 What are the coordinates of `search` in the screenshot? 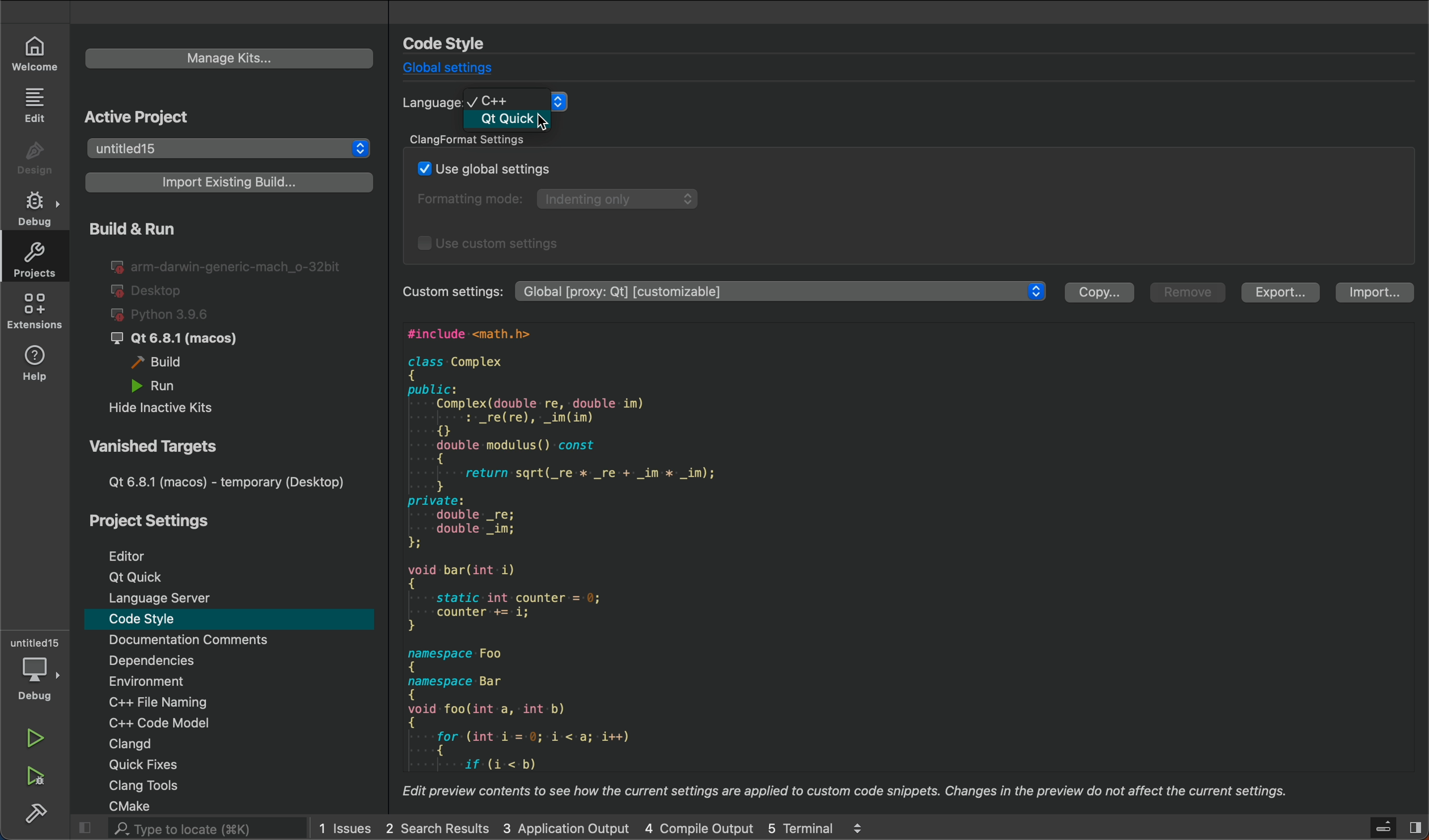 It's located at (184, 828).